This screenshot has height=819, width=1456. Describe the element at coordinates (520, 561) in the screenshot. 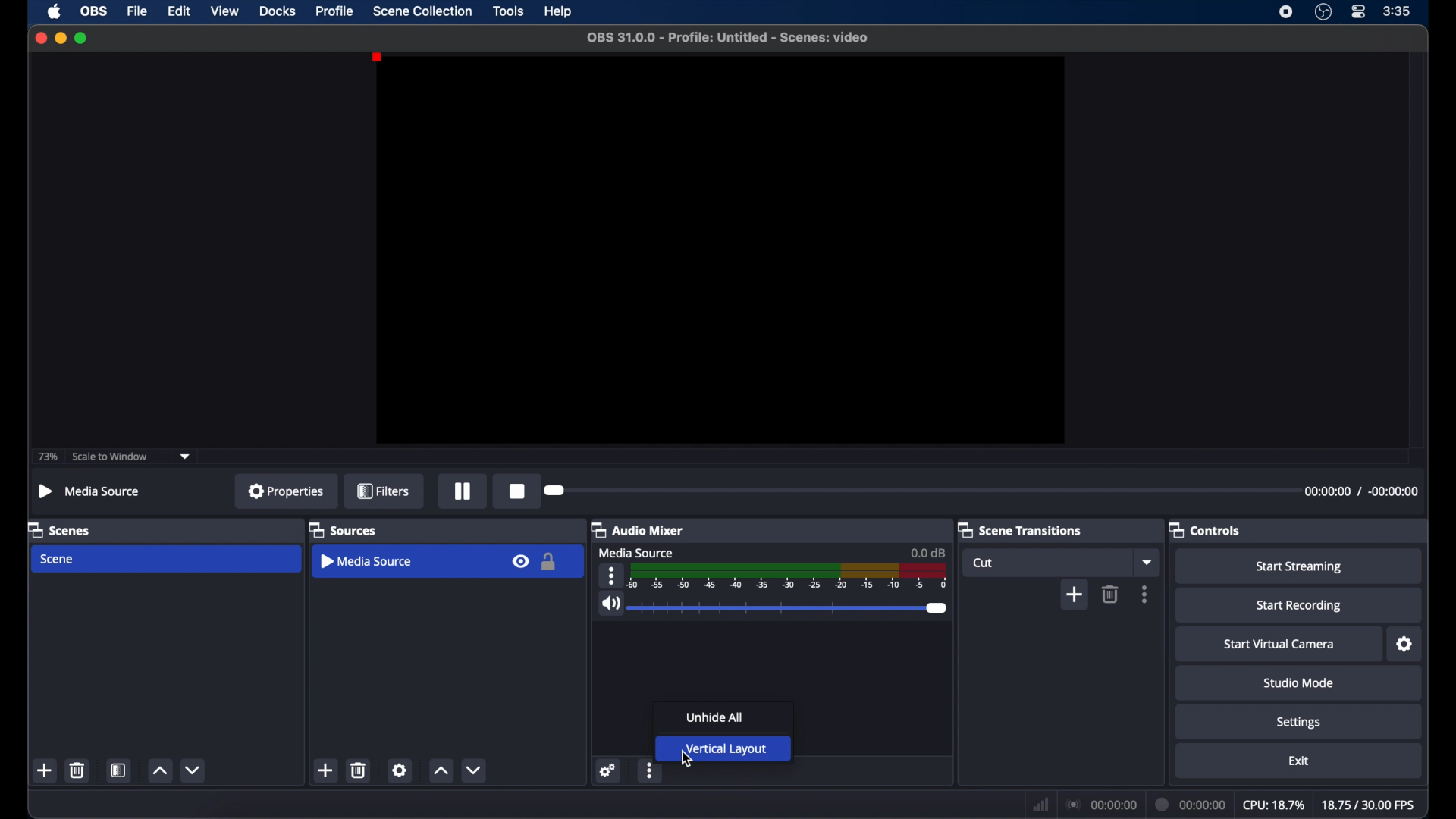

I see `visibility icon` at that location.